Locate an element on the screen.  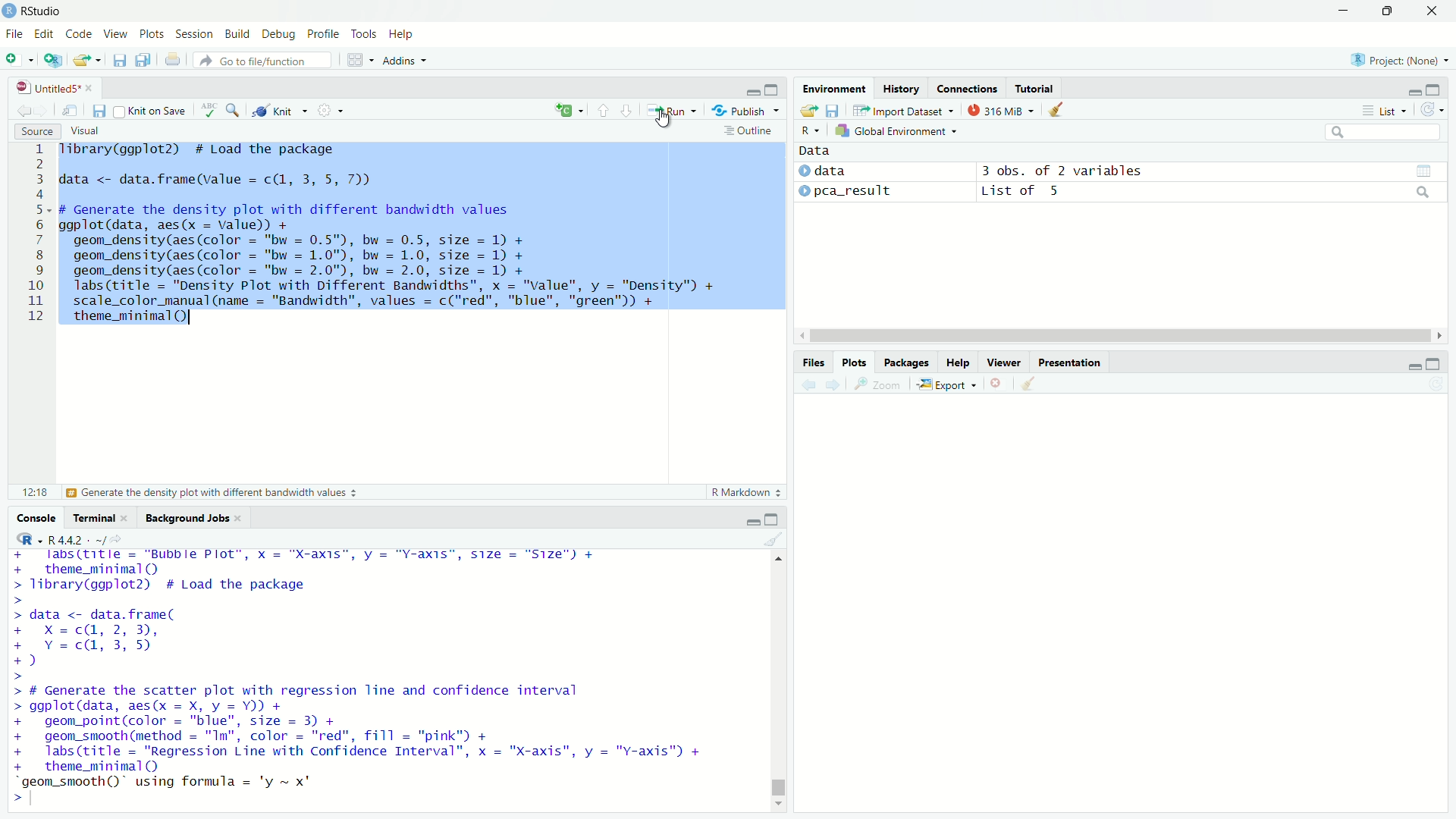
+ fabs(titlie = "Bubble Plot", Xx = "X-axis", y = "Y-axis, Size = '>1ze’) +
+ theme_minimal()

> library(ggplot2) # Load the package

>

> data <- data.frame(

+ X=cQ@, 2,3),

+ Y=c@, 3,5

+)

>

> # Generate the scatter plot with regression line and confidence interval

> ggplot(data, aes(x = X, y = Y)) +

+ geom_point(color = "blue", size = 3) +

+ geom_smooth(method = "Im", color = "red", fill = "pink") +

+ labs(title = "Regression Line with Confidence Interval", x = "X-axis", y = "Y-axis") +
+ theme_minimal()

“geom_smooth()" using formula = 'y ~ x"

>| is located at coordinates (362, 677).